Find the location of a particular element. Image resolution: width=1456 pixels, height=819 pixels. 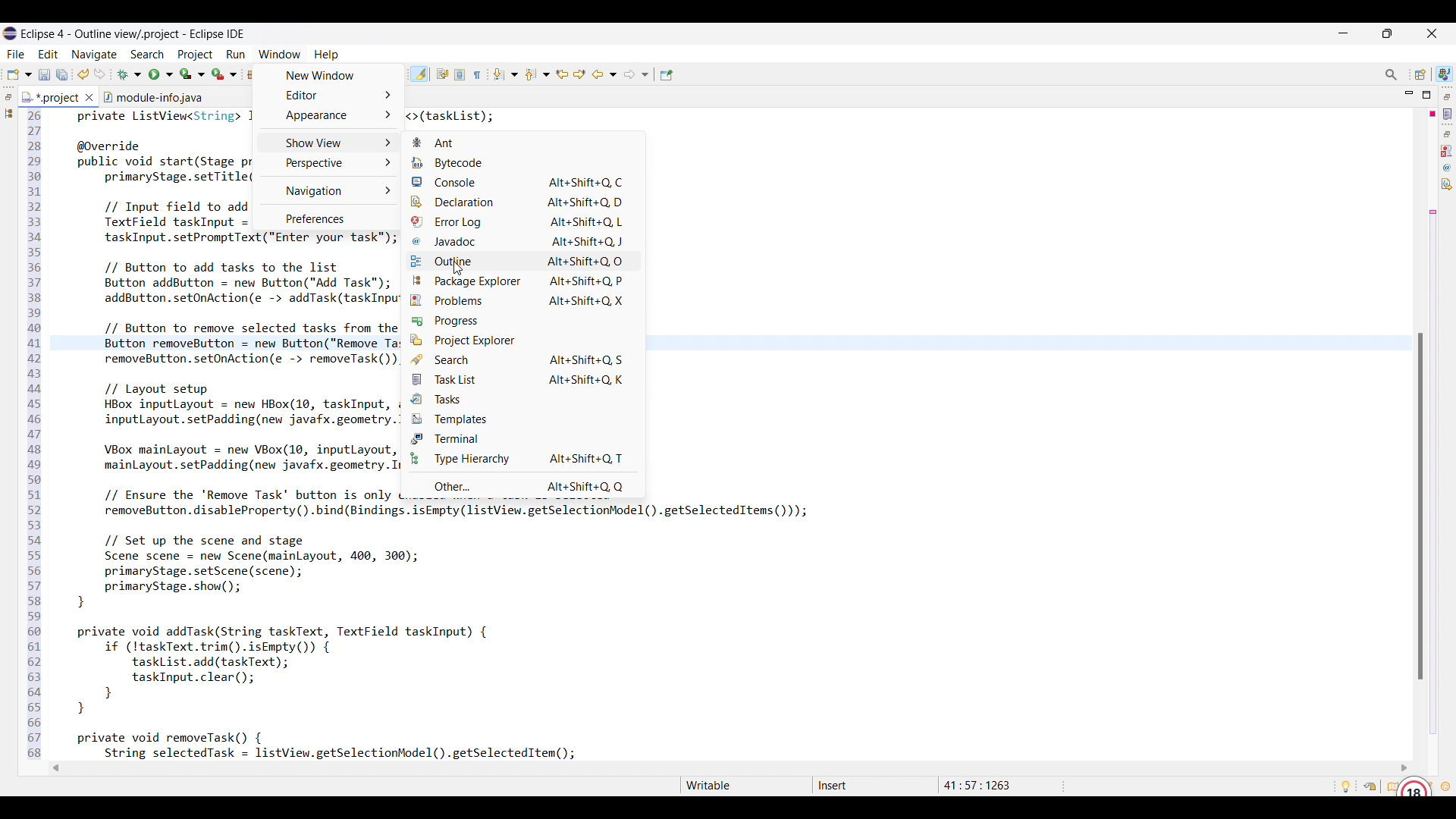

Console is located at coordinates (521, 182).